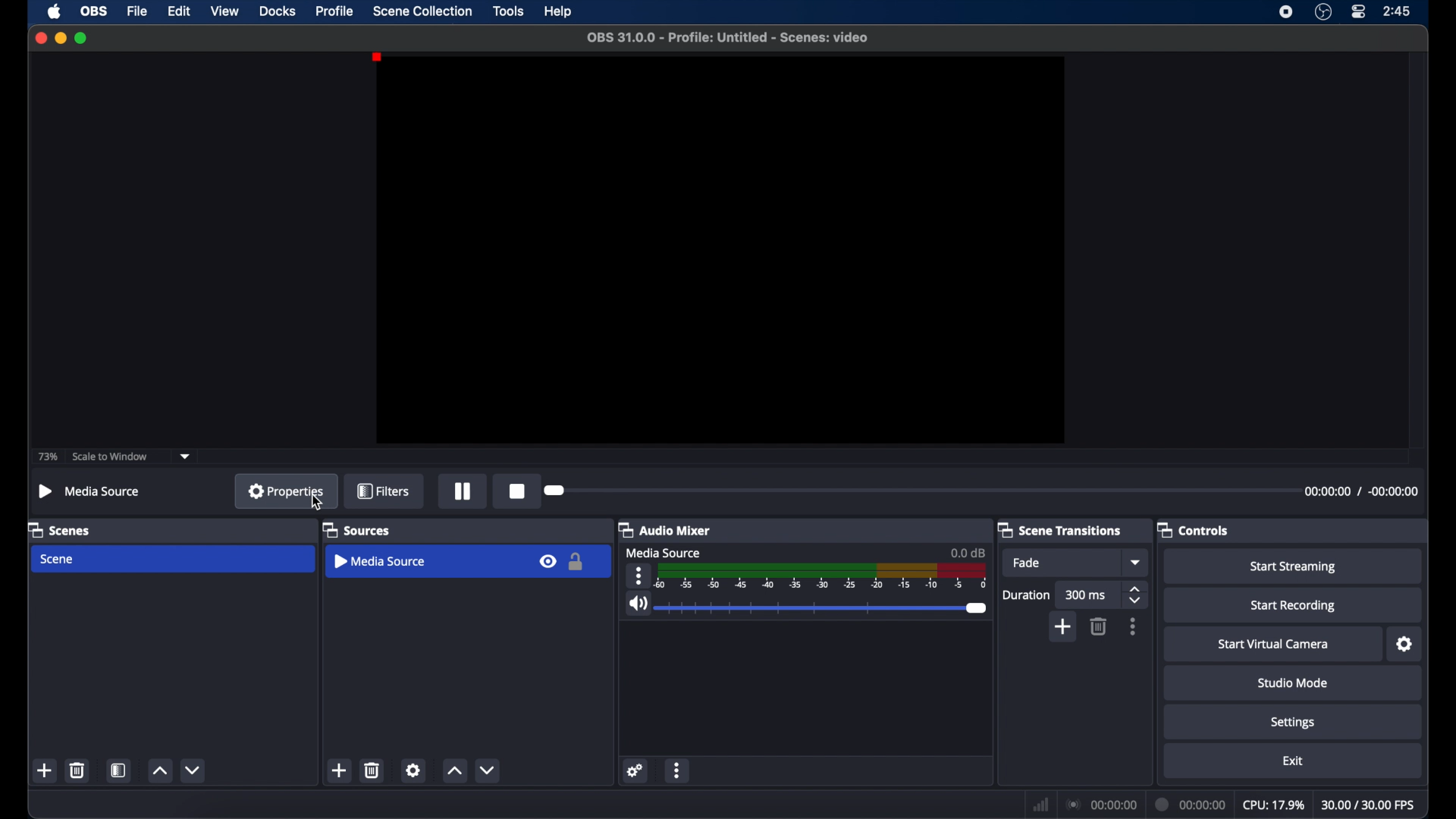 The image size is (1456, 819). Describe the element at coordinates (60, 529) in the screenshot. I see `scenes` at that location.